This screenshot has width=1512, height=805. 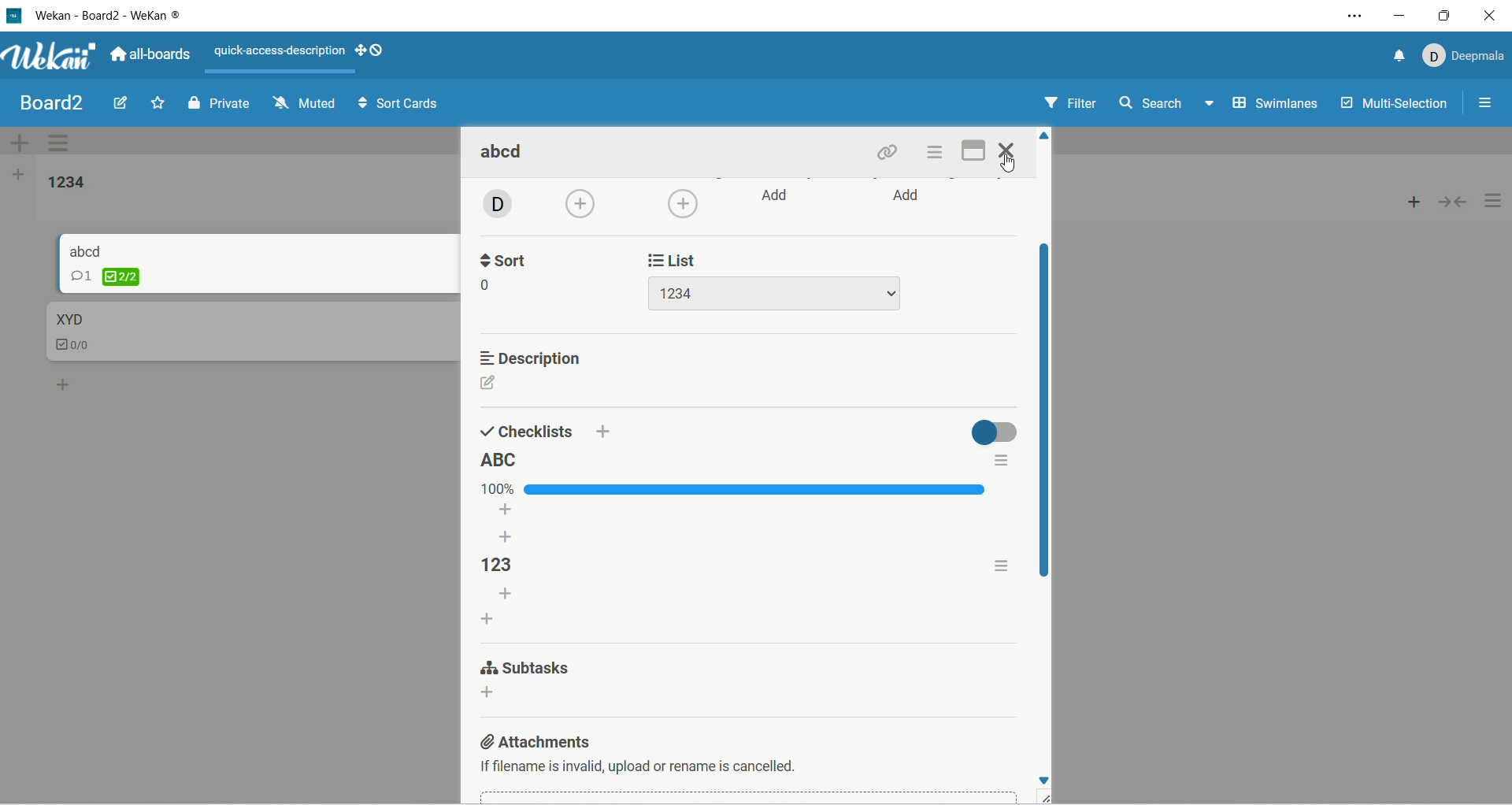 What do you see at coordinates (80, 347) in the screenshot?
I see `checklist` at bounding box center [80, 347].